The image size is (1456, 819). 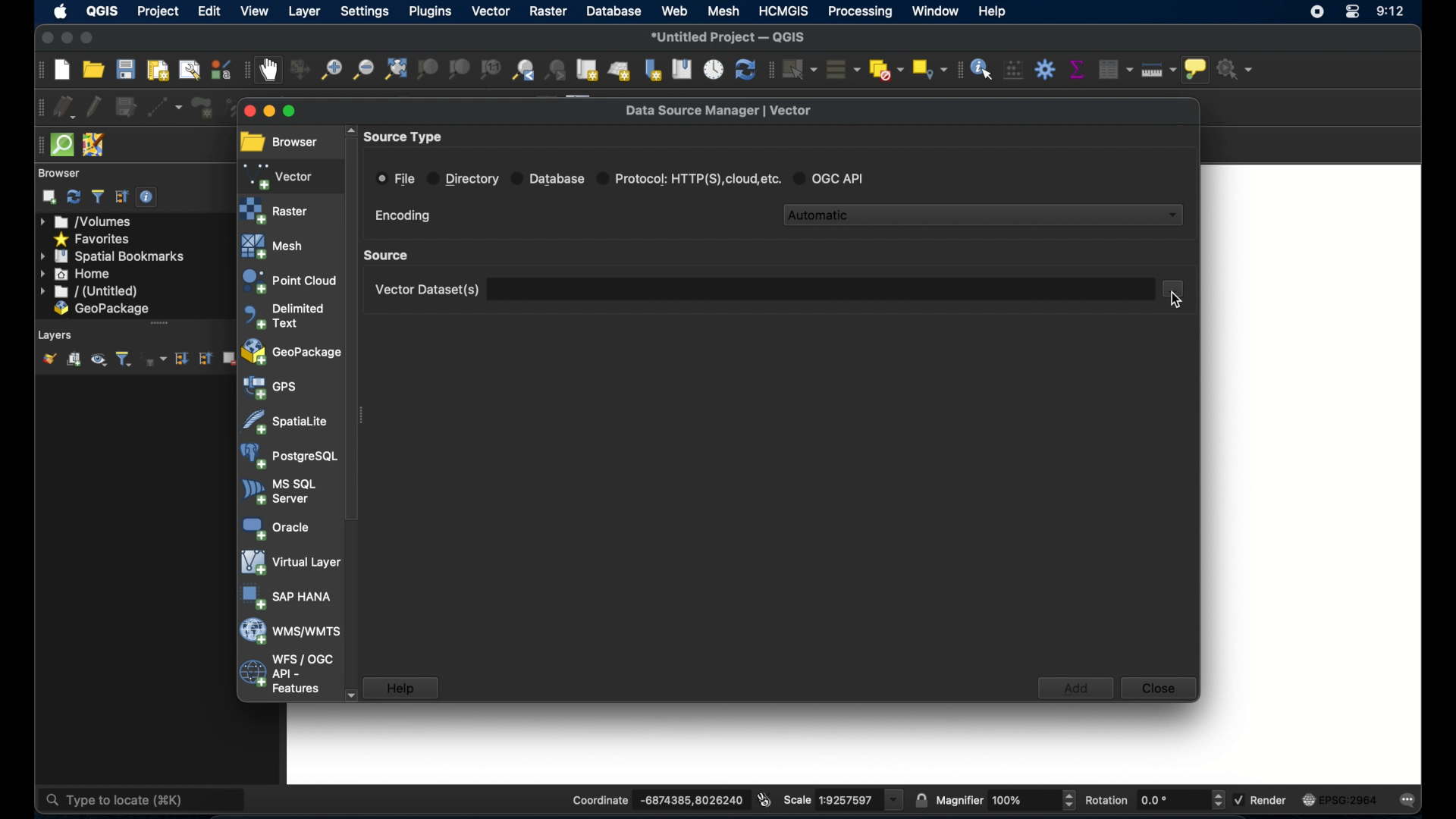 I want to click on attribute toolbar, so click(x=958, y=71).